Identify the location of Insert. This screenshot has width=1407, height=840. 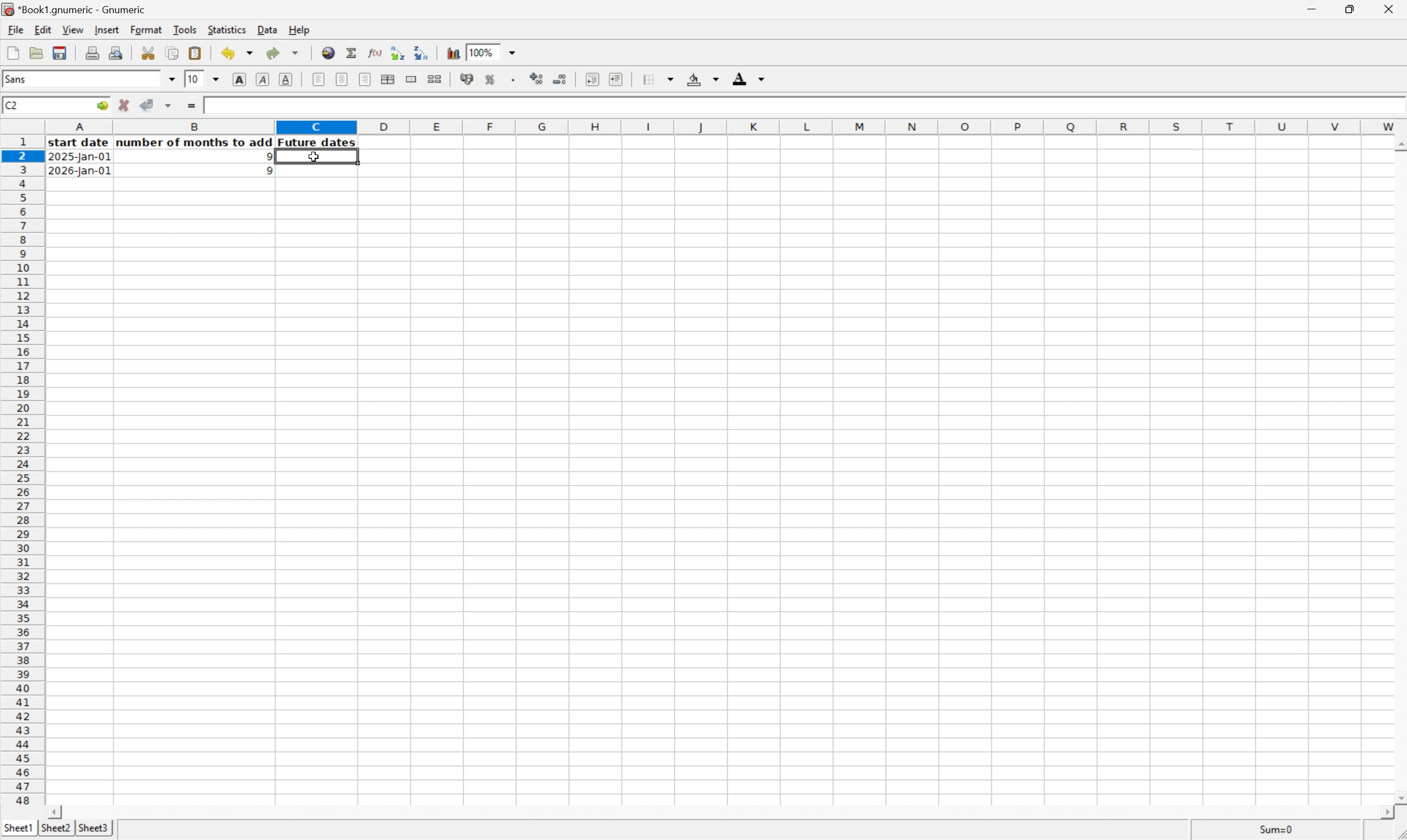
(106, 29).